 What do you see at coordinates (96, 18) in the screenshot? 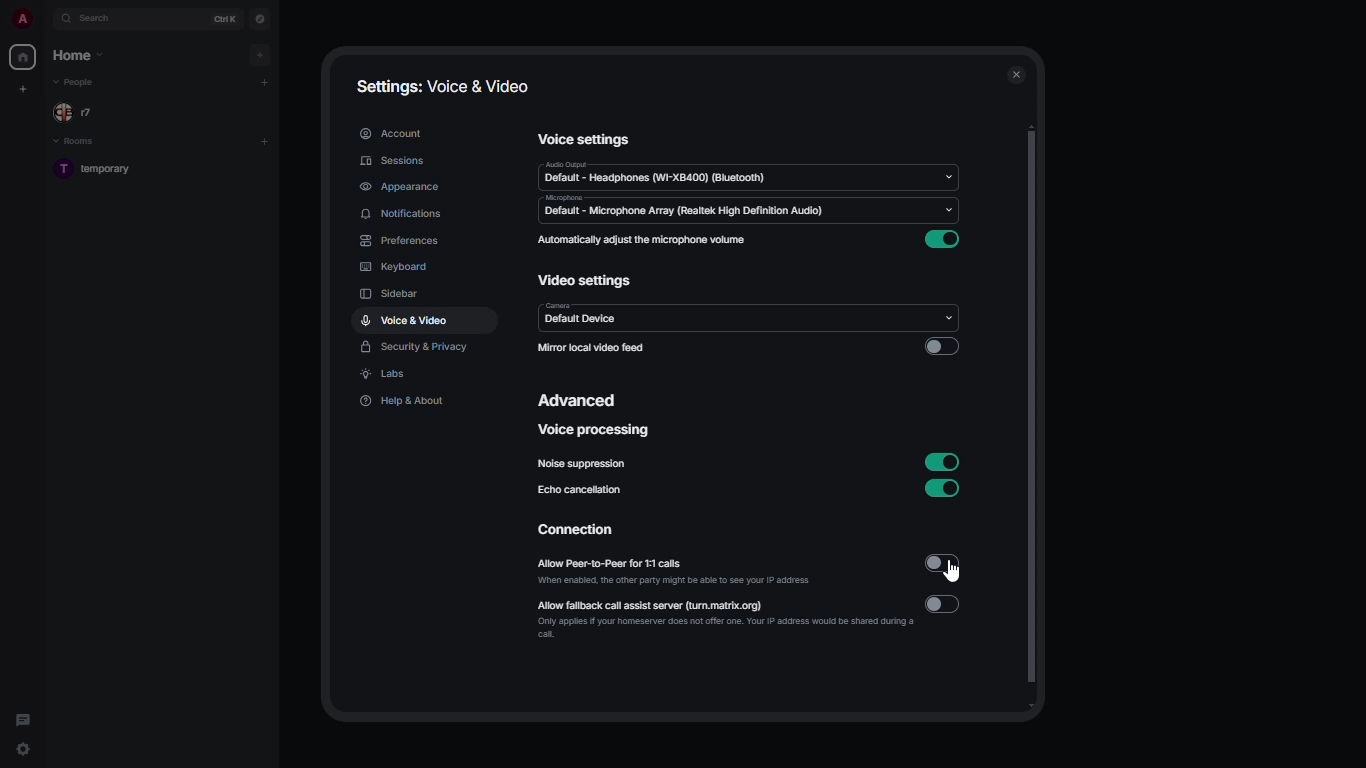
I see `search` at bounding box center [96, 18].